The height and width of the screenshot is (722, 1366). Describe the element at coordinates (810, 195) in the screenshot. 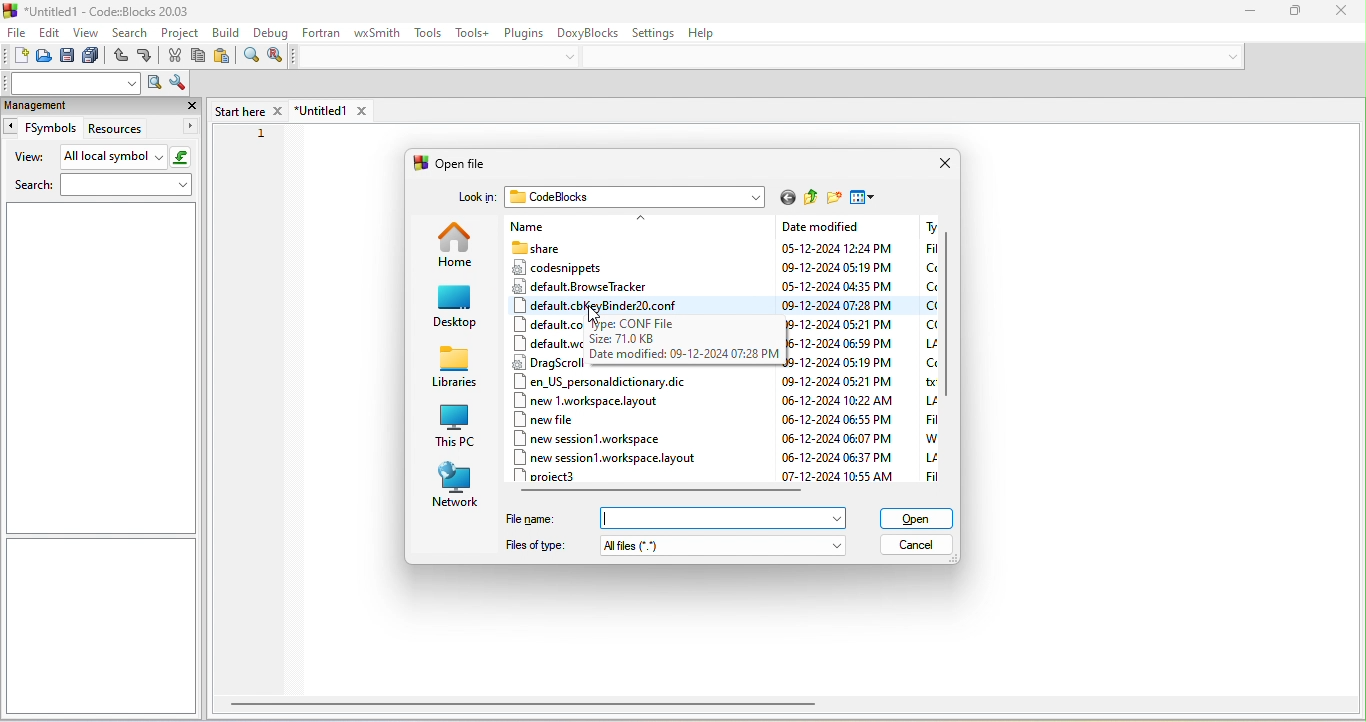

I see `up one level` at that location.